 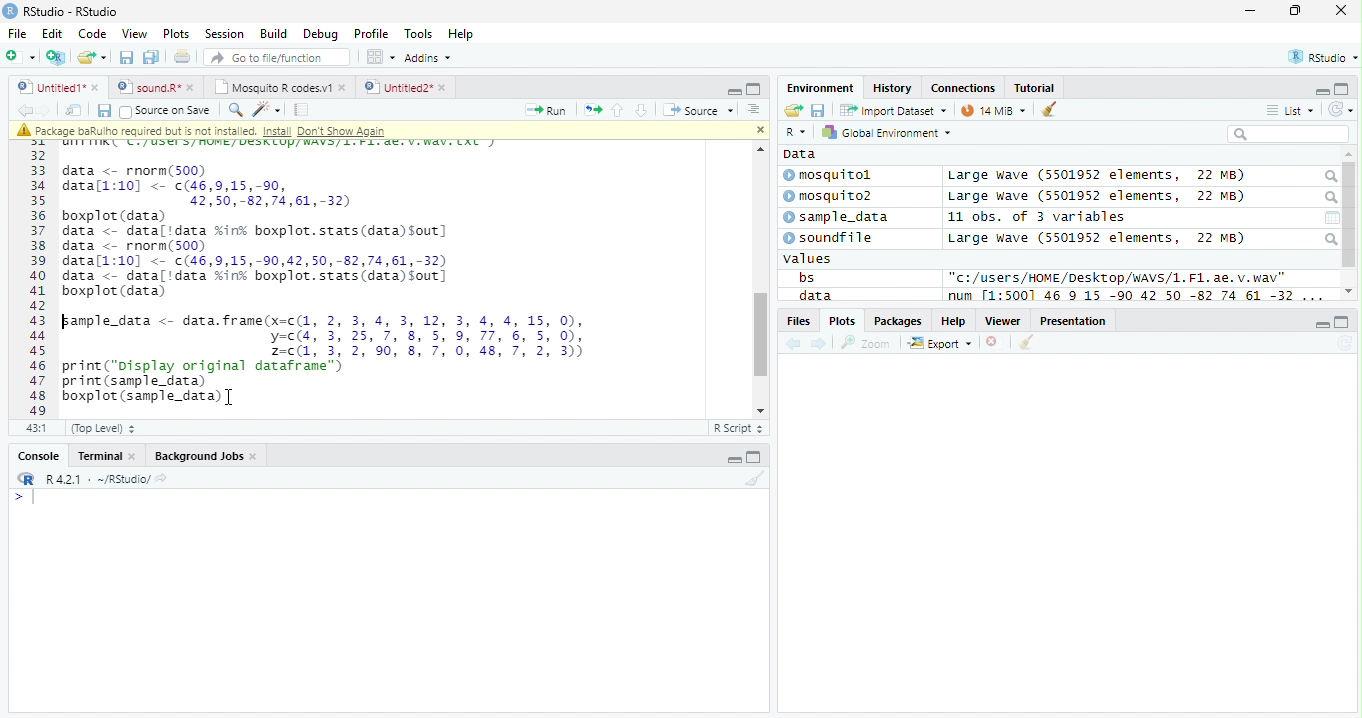 What do you see at coordinates (753, 479) in the screenshot?
I see `clear workspace` at bounding box center [753, 479].